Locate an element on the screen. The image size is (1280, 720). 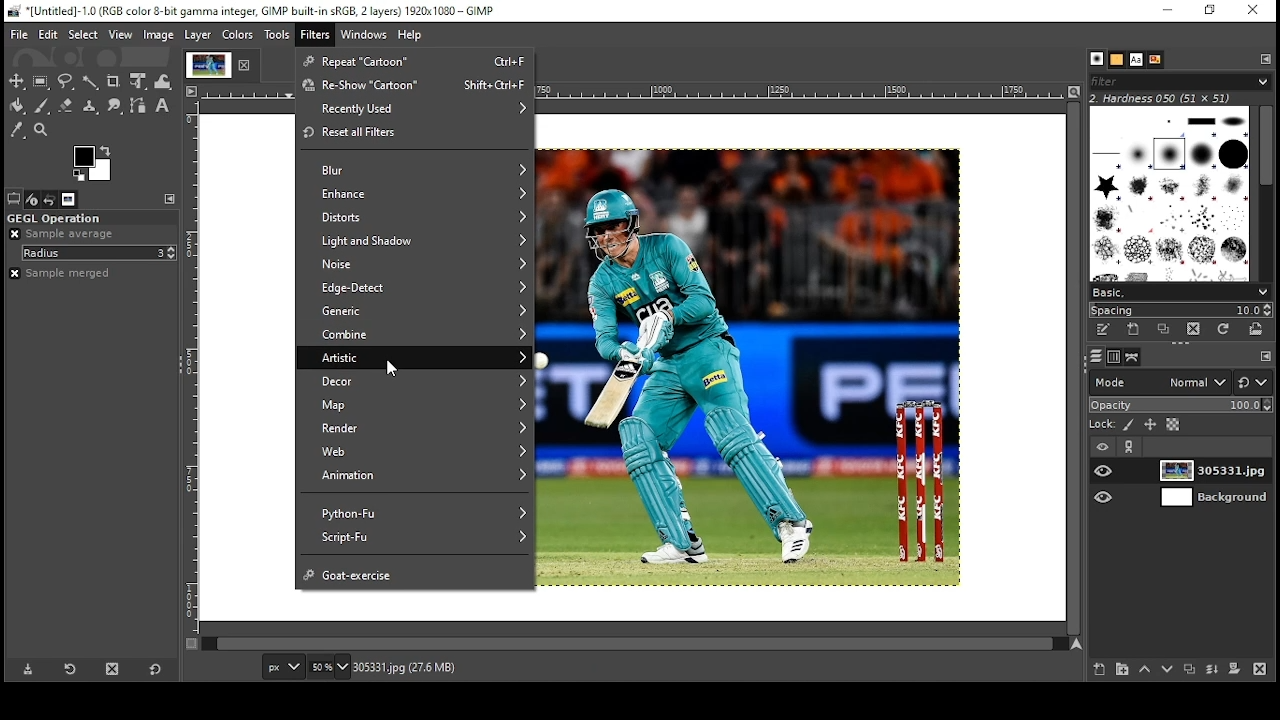
file is located at coordinates (20, 35).